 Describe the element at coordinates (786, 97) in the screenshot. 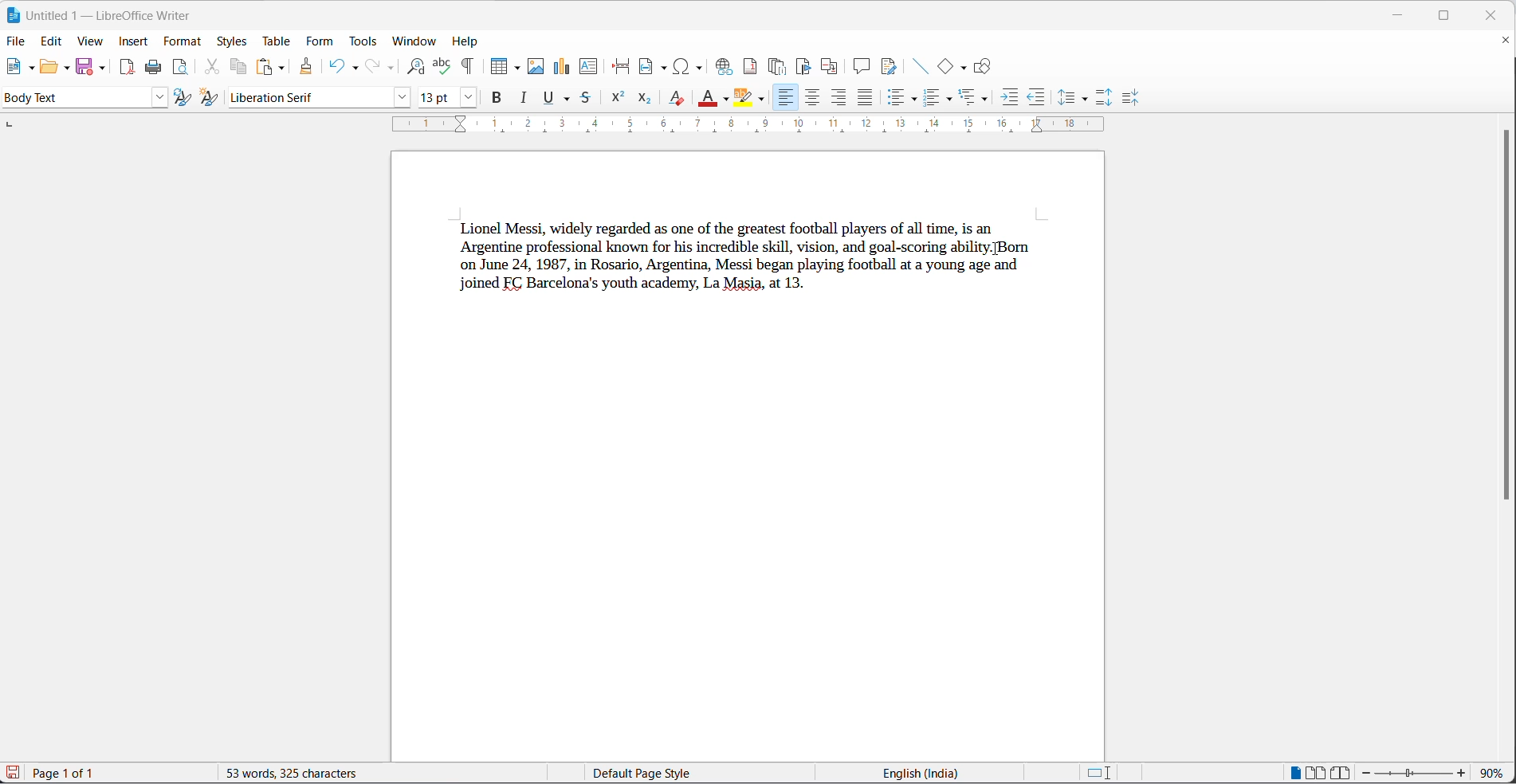

I see `text align right` at that location.